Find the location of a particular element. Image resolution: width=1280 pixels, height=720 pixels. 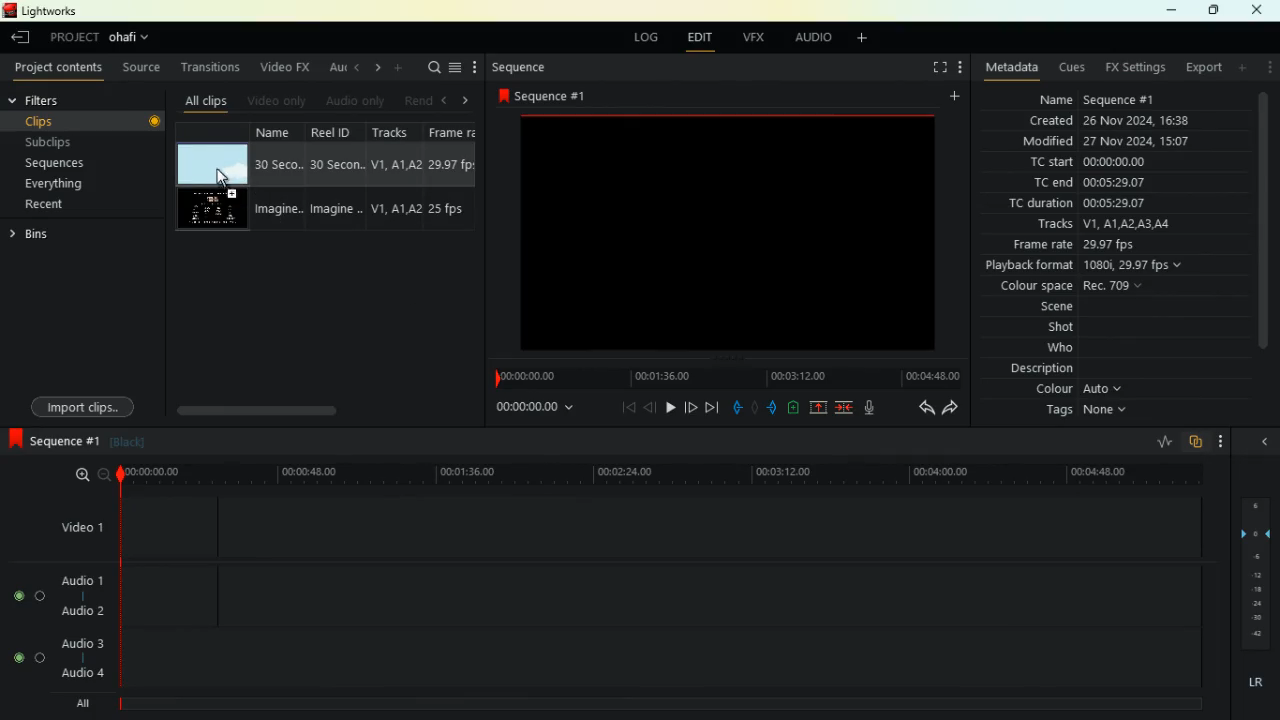

buttons is located at coordinates (17, 629).